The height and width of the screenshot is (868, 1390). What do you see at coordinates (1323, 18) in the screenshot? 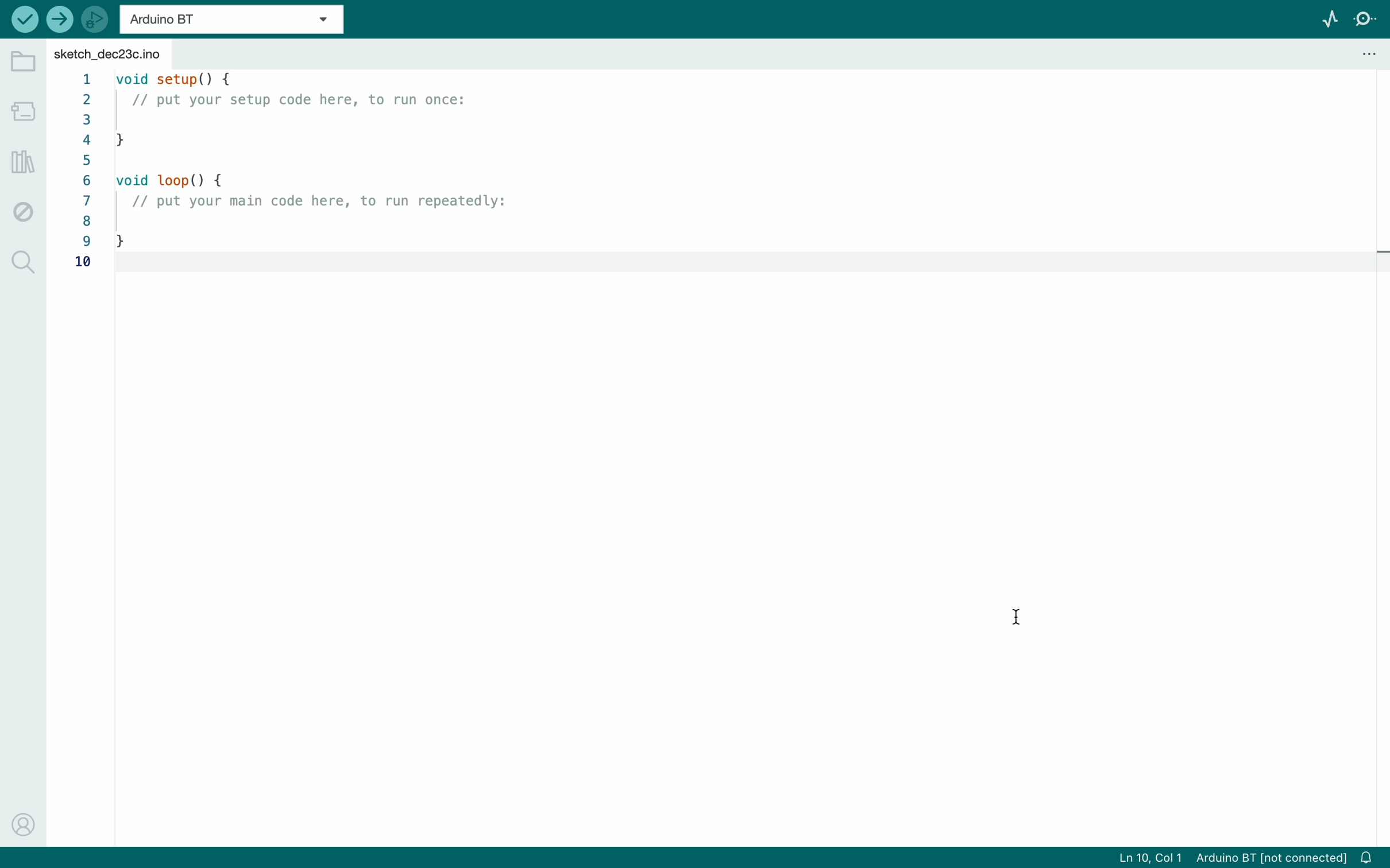
I see `serial plotter` at bounding box center [1323, 18].